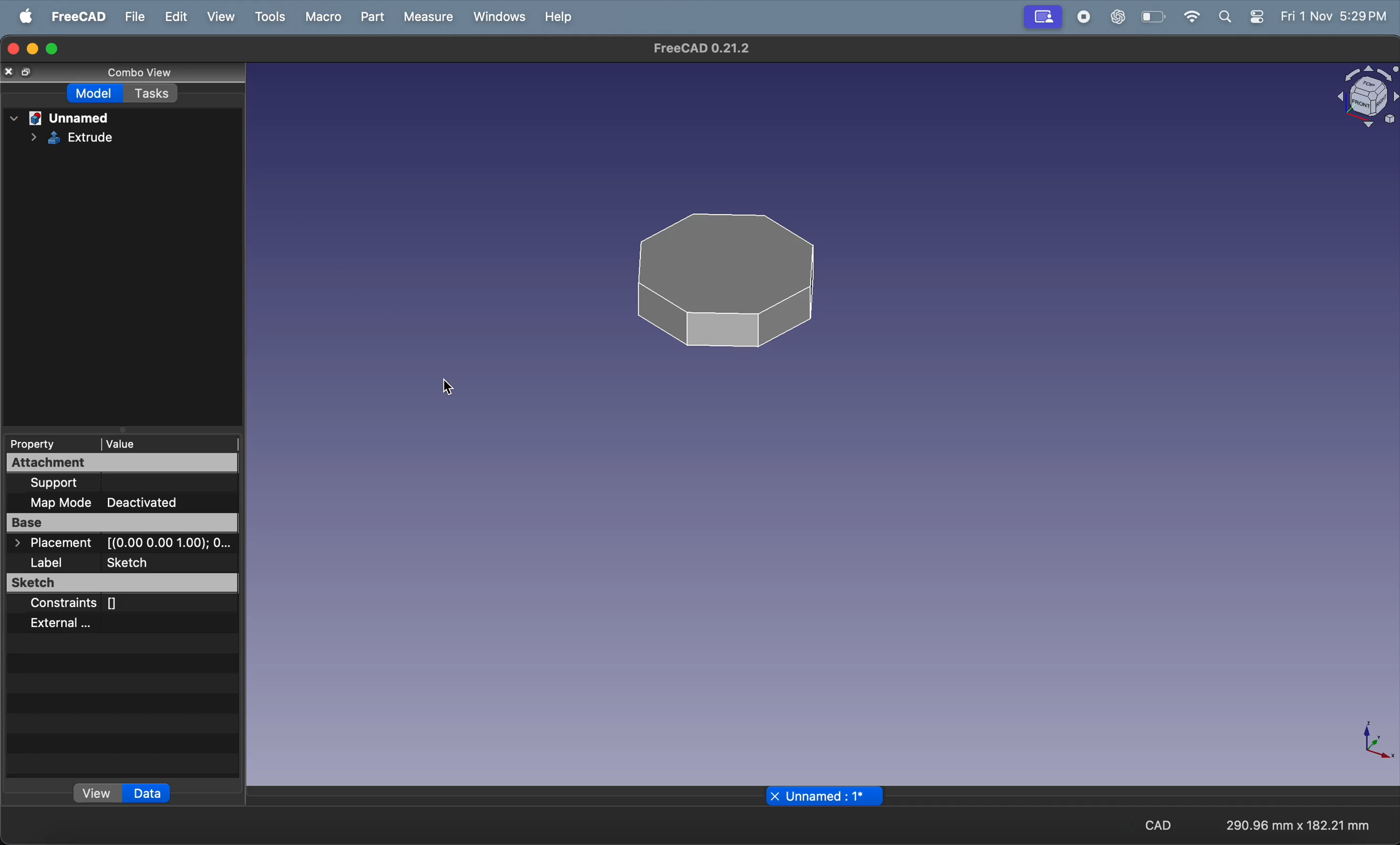 Image resolution: width=1400 pixels, height=845 pixels. Describe the element at coordinates (53, 47) in the screenshot. I see `maximize` at that location.